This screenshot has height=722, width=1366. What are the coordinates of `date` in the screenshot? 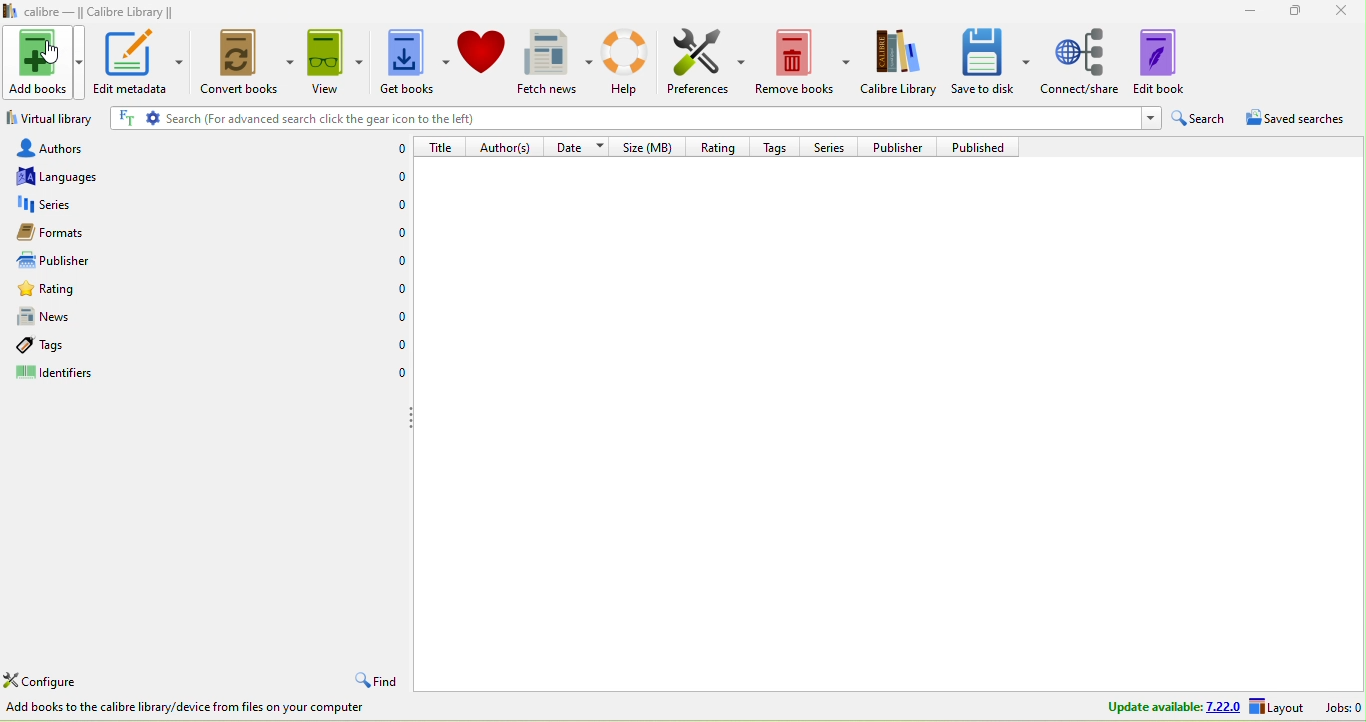 It's located at (580, 147).